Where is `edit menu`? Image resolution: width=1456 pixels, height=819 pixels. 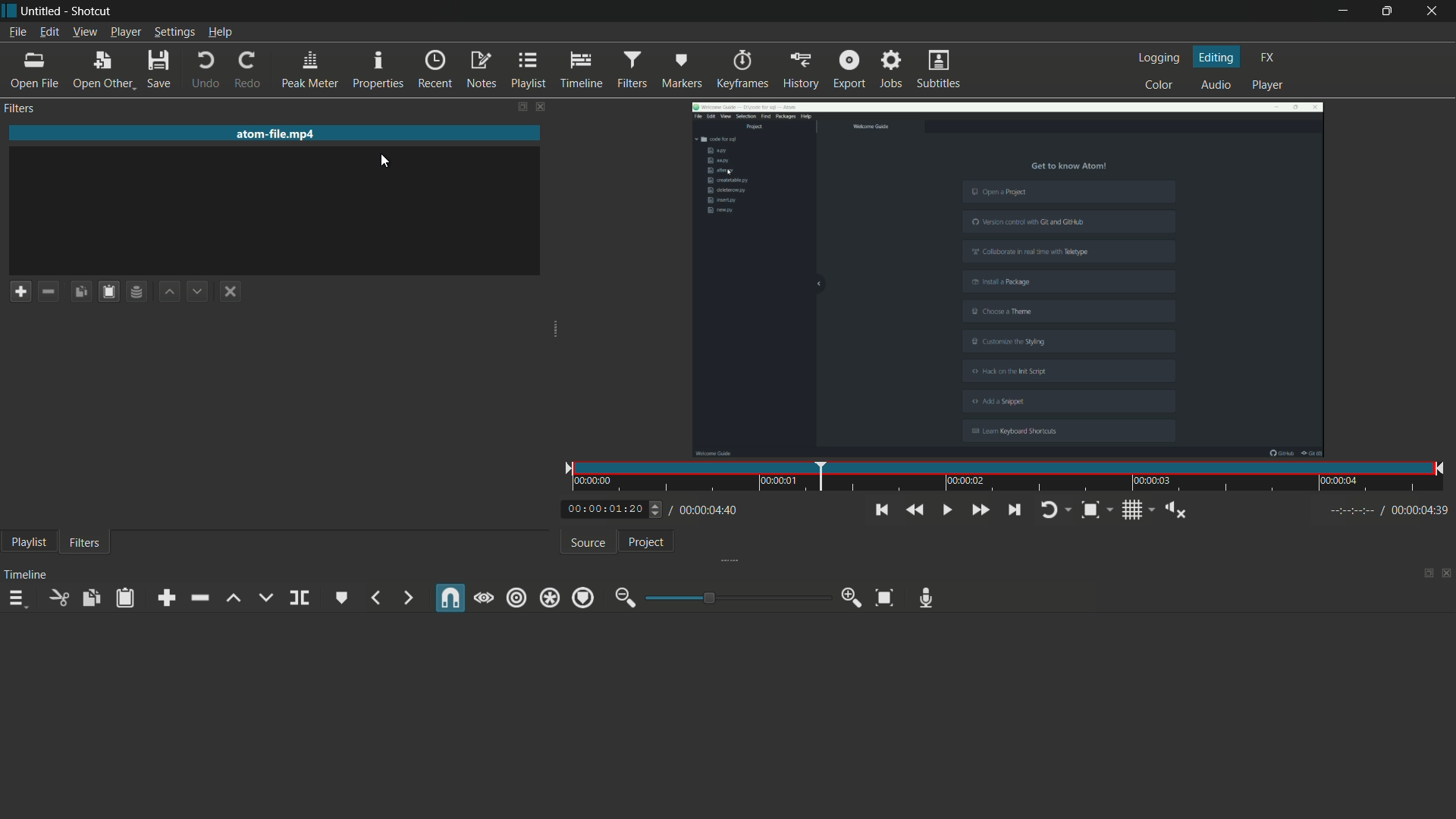
edit menu is located at coordinates (49, 33).